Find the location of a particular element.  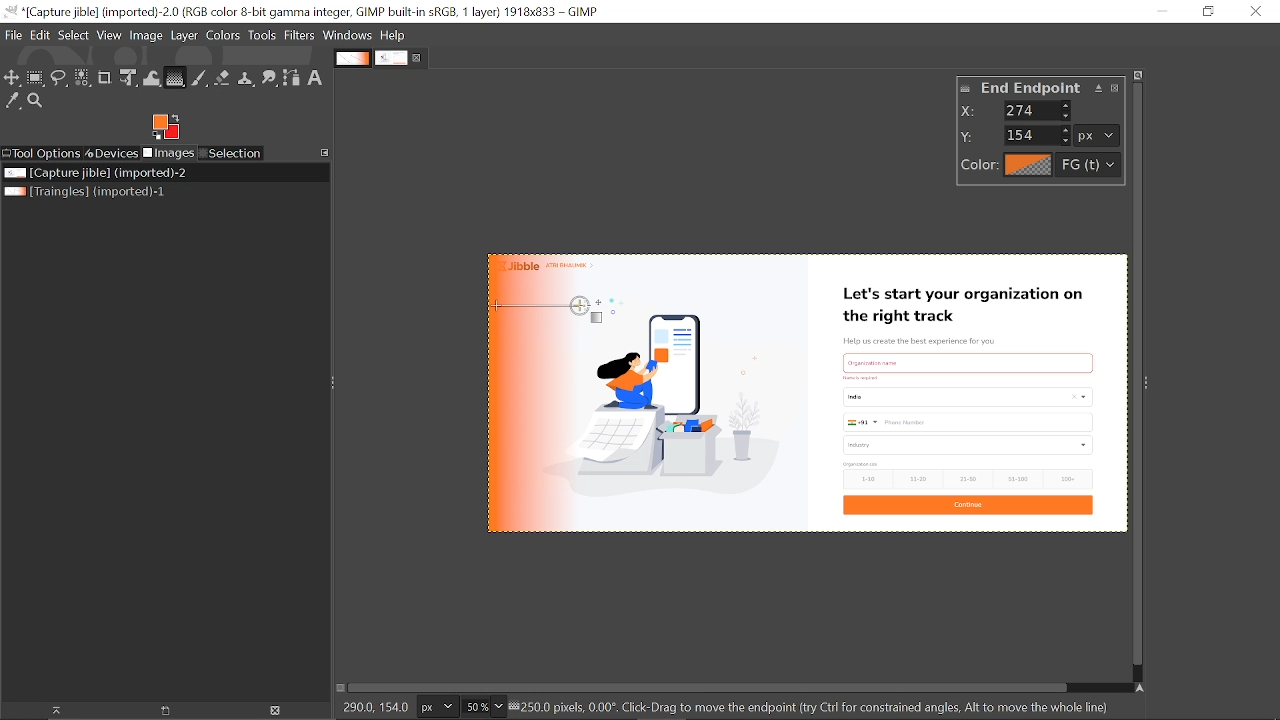

Move tool is located at coordinates (12, 78).